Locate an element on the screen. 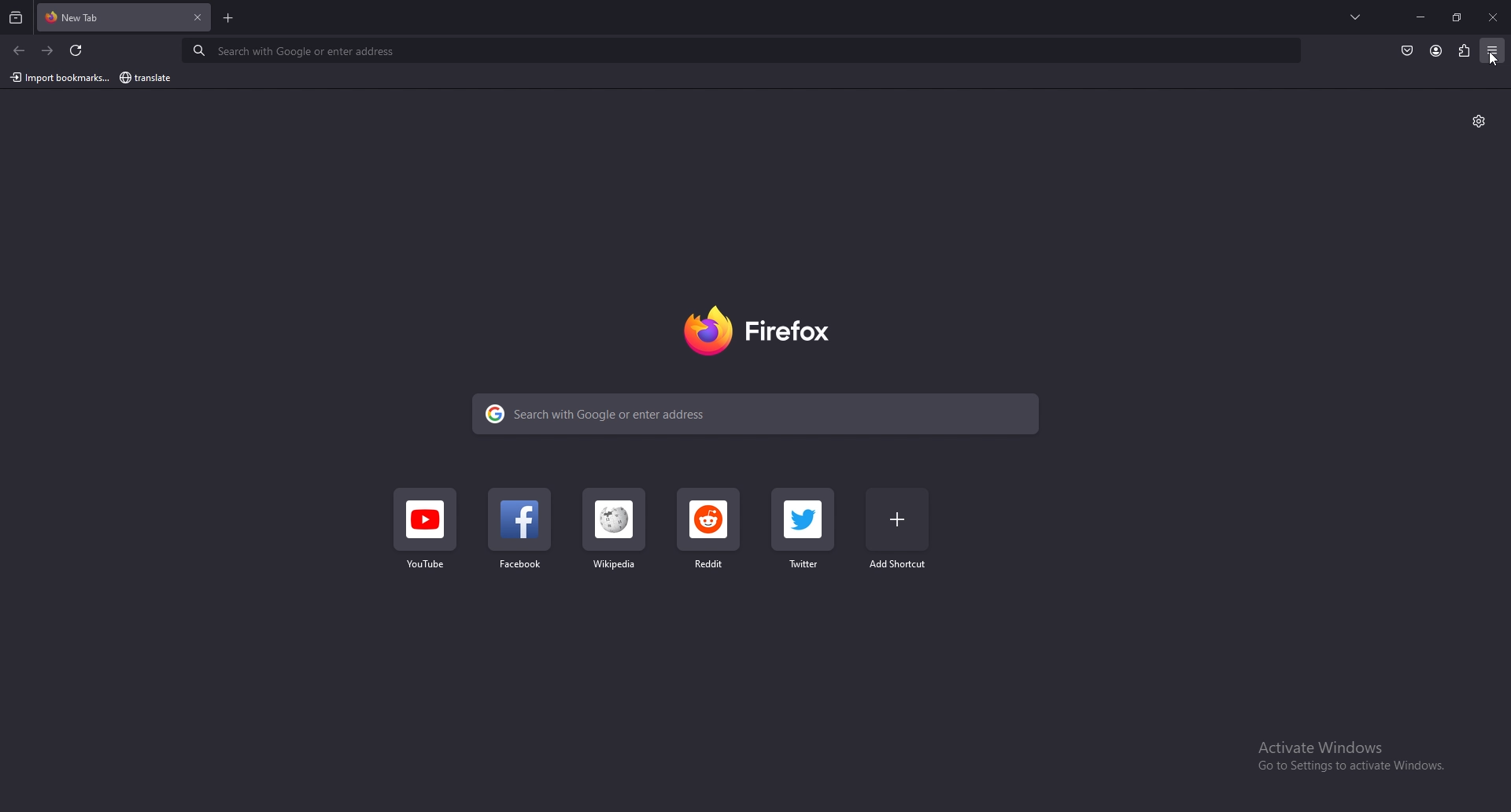 This screenshot has width=1511, height=812. refresh is located at coordinates (79, 50).